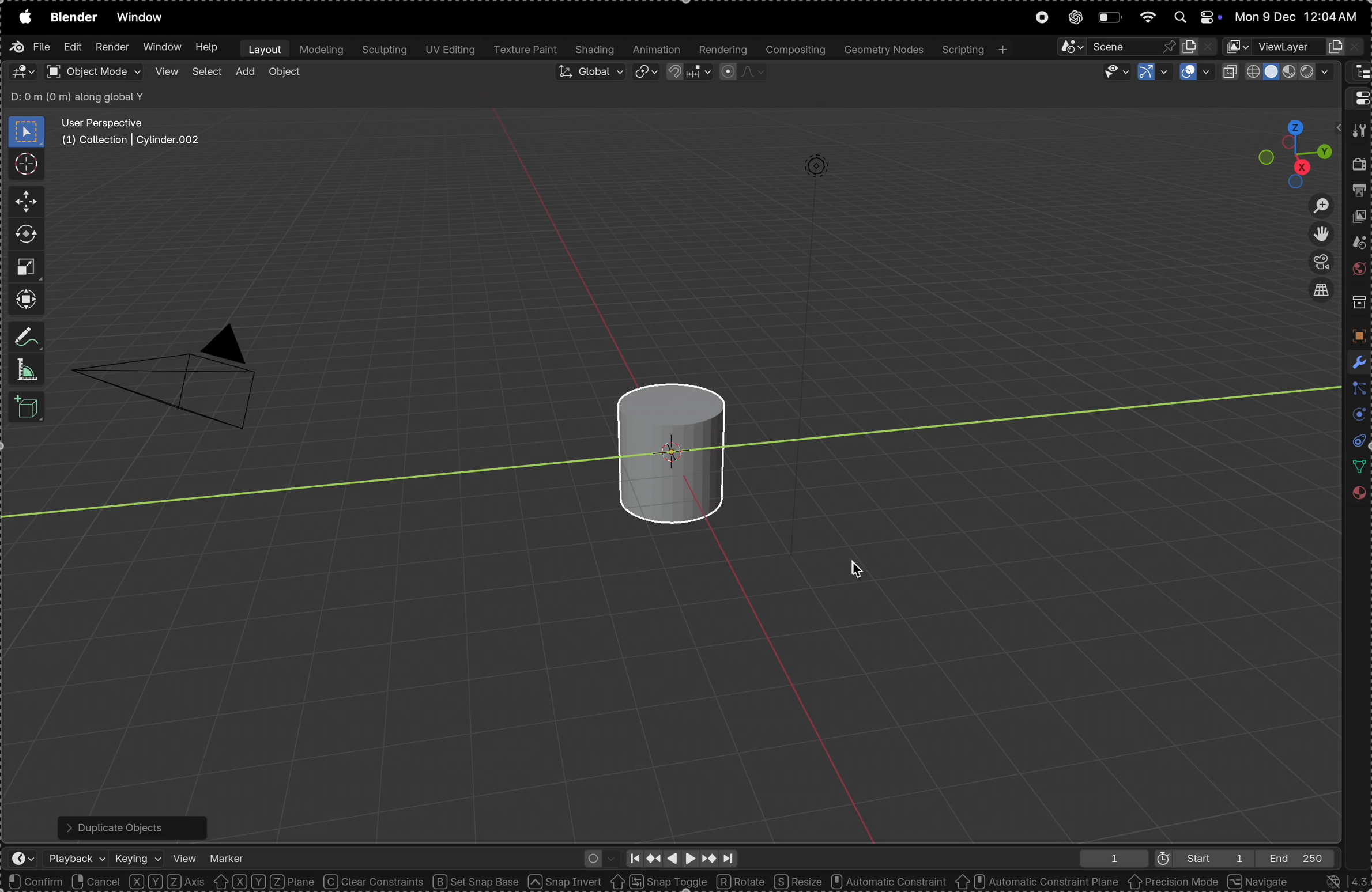  What do you see at coordinates (22, 202) in the screenshot?
I see `move` at bounding box center [22, 202].